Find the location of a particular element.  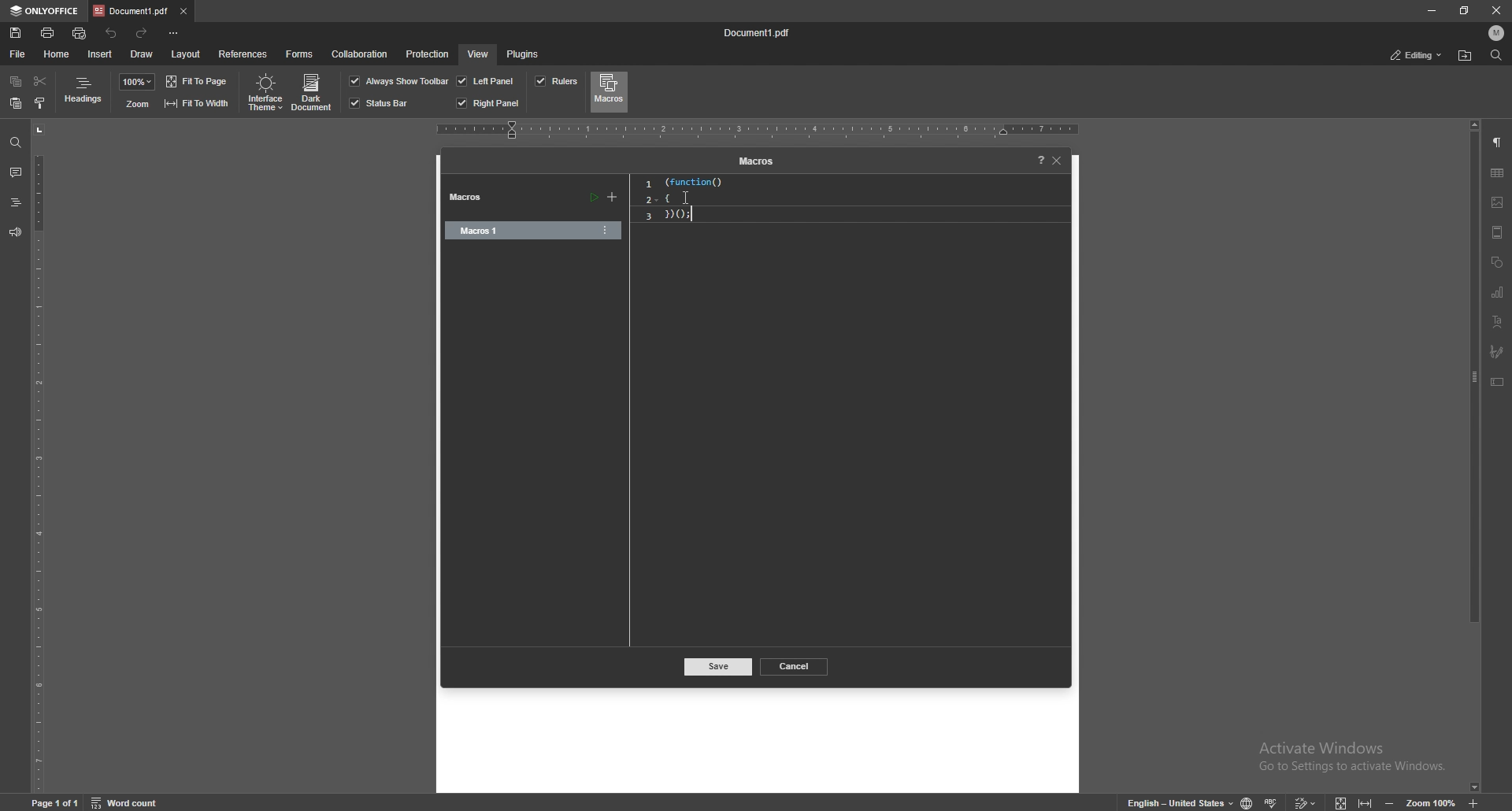

shapes is located at coordinates (1497, 261).